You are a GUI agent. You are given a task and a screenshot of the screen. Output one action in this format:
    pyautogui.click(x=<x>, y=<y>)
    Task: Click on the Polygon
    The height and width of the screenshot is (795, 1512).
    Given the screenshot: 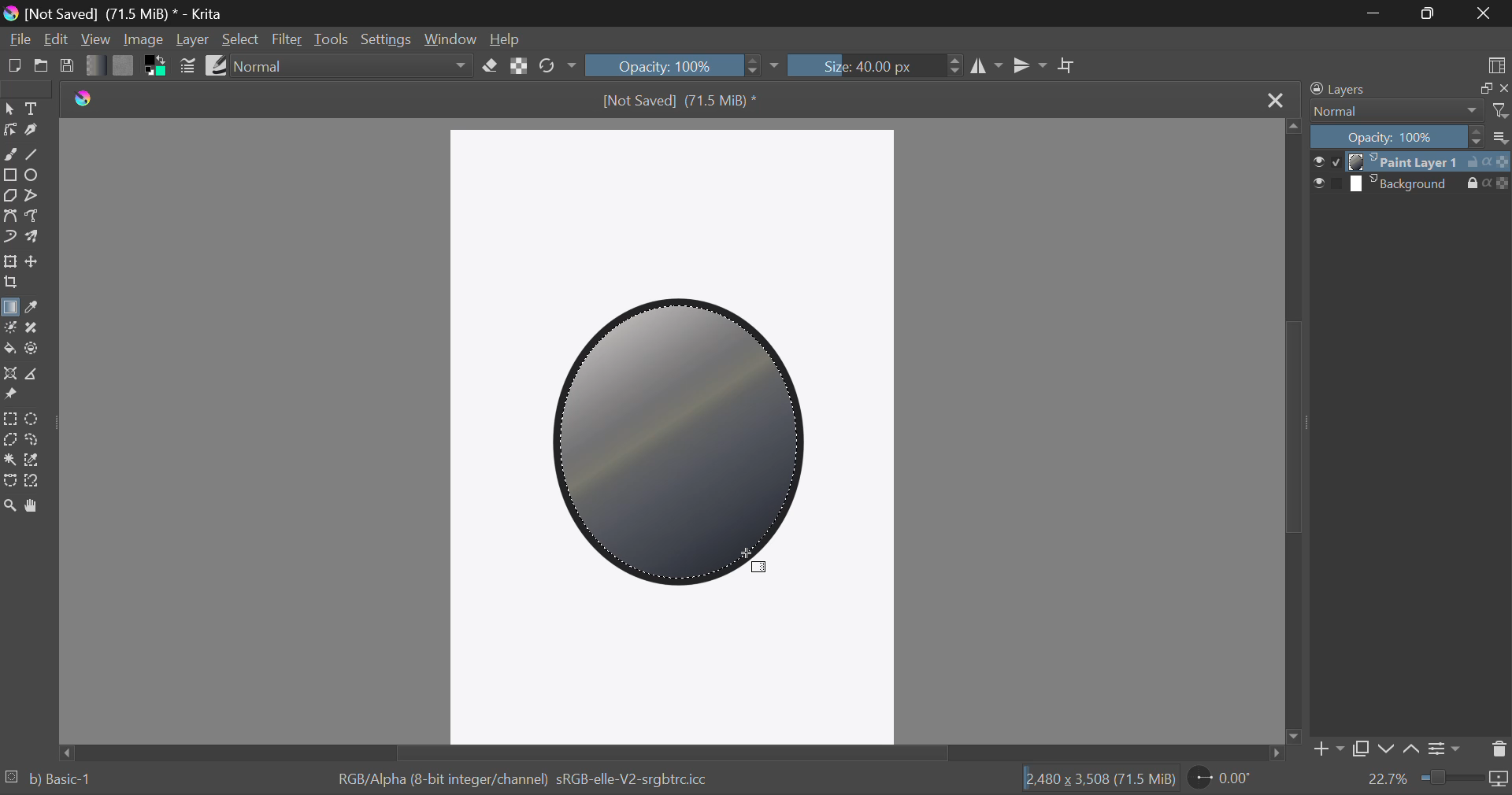 What is the action you would take?
    pyautogui.click(x=11, y=197)
    